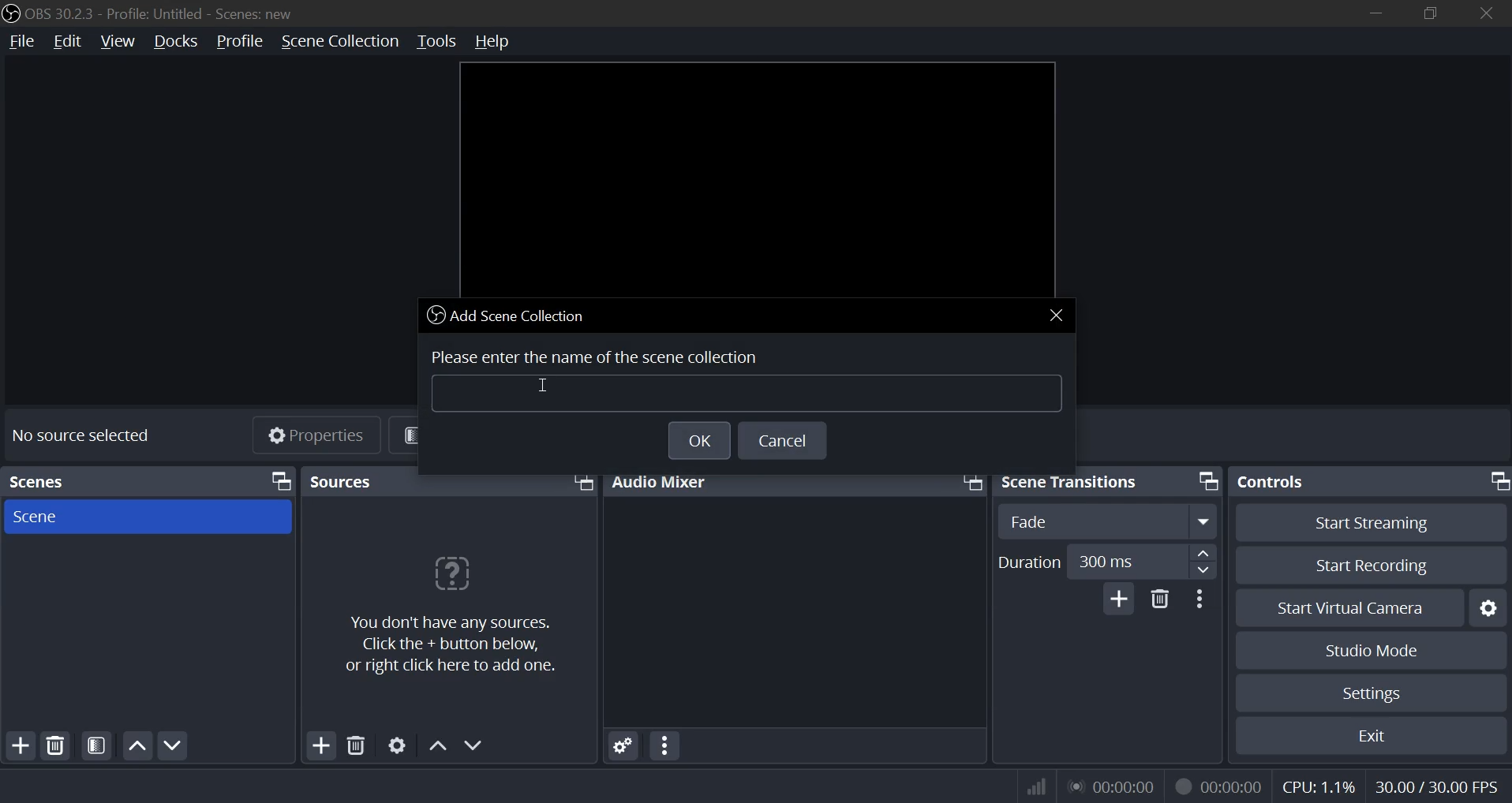  What do you see at coordinates (52, 478) in the screenshot?
I see `Scenes` at bounding box center [52, 478].